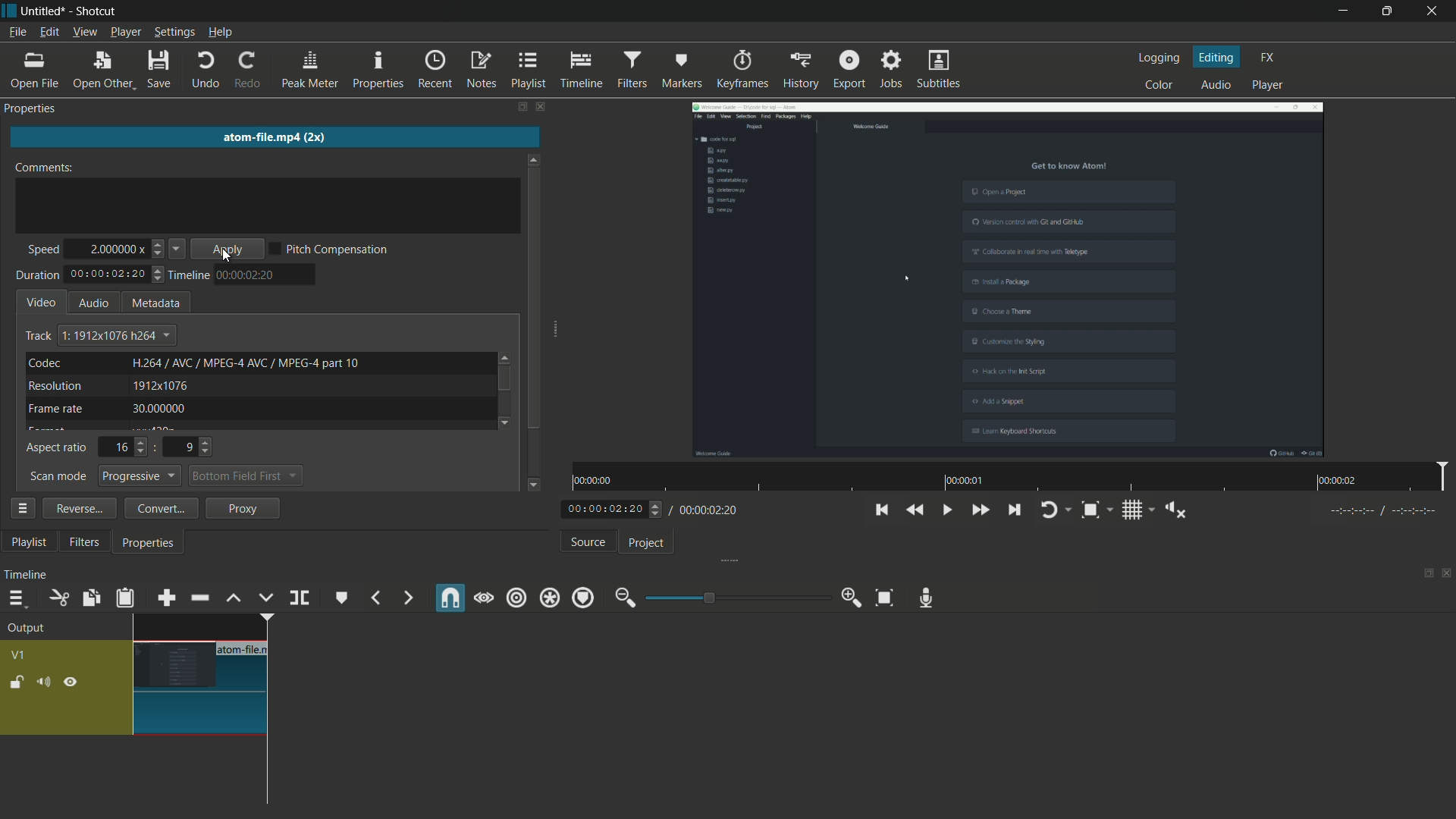  I want to click on skip to the previous point, so click(880, 510).